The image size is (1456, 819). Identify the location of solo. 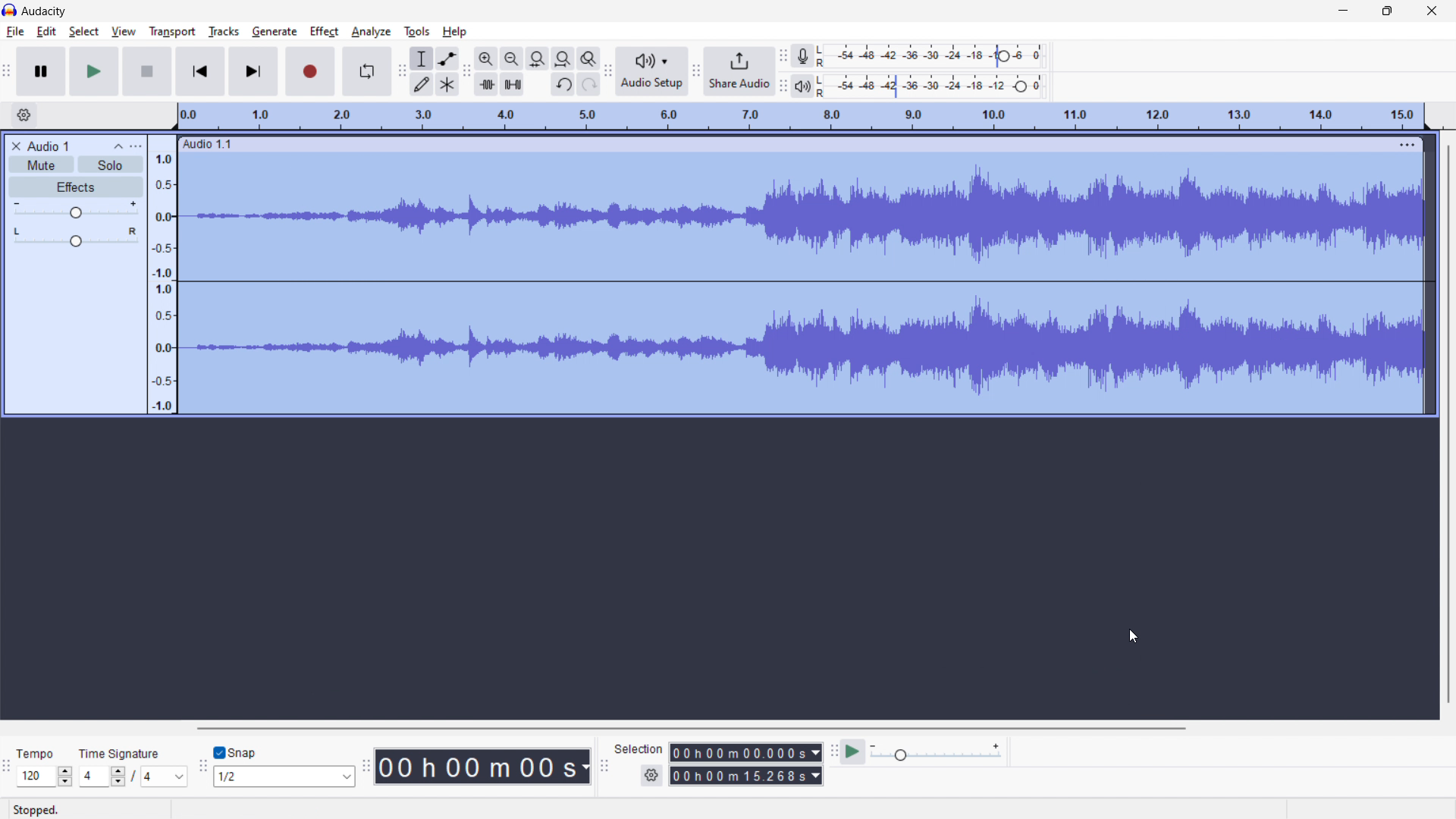
(110, 165).